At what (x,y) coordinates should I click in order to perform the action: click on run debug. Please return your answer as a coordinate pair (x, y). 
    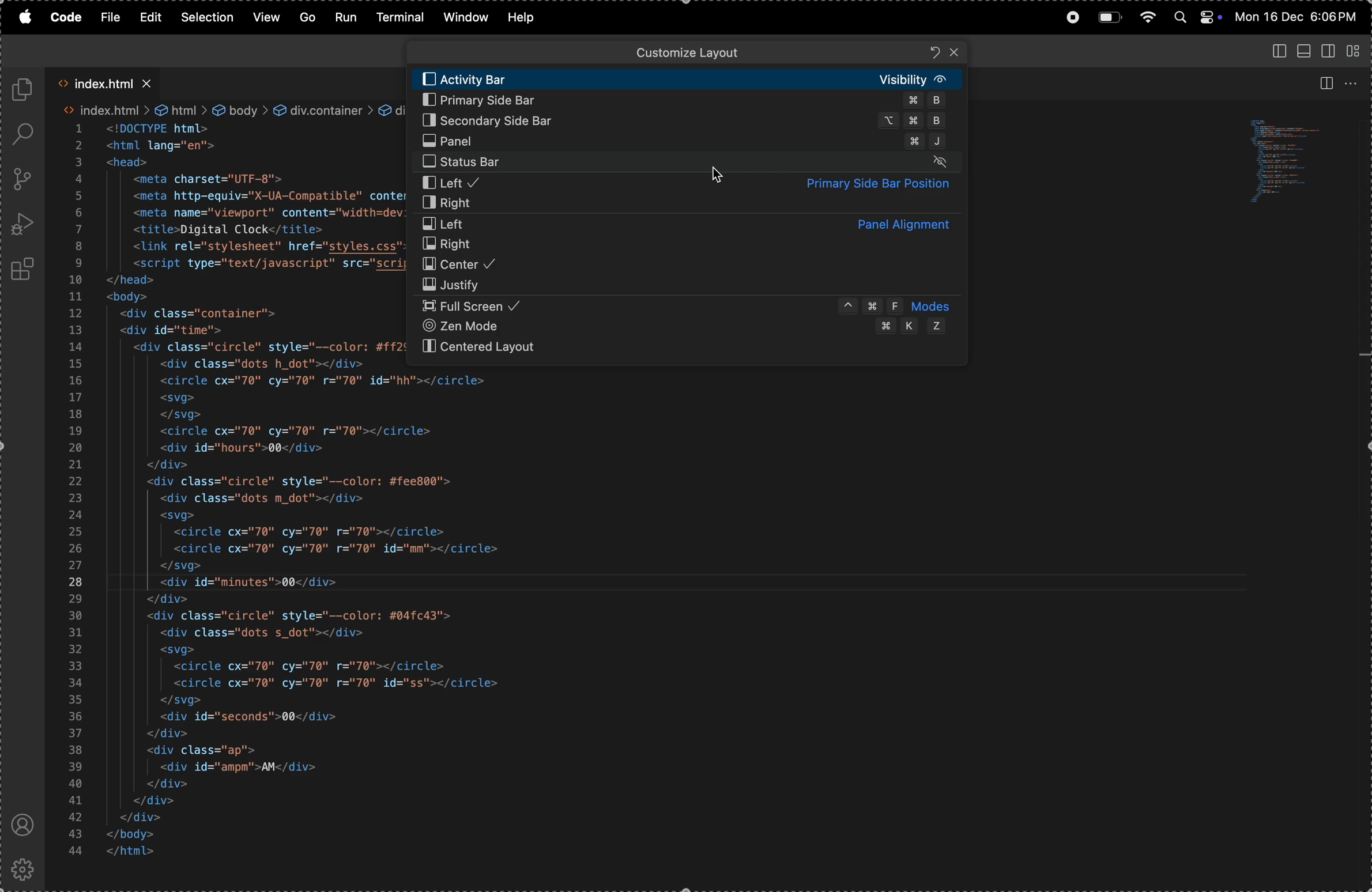
    Looking at the image, I should click on (24, 225).